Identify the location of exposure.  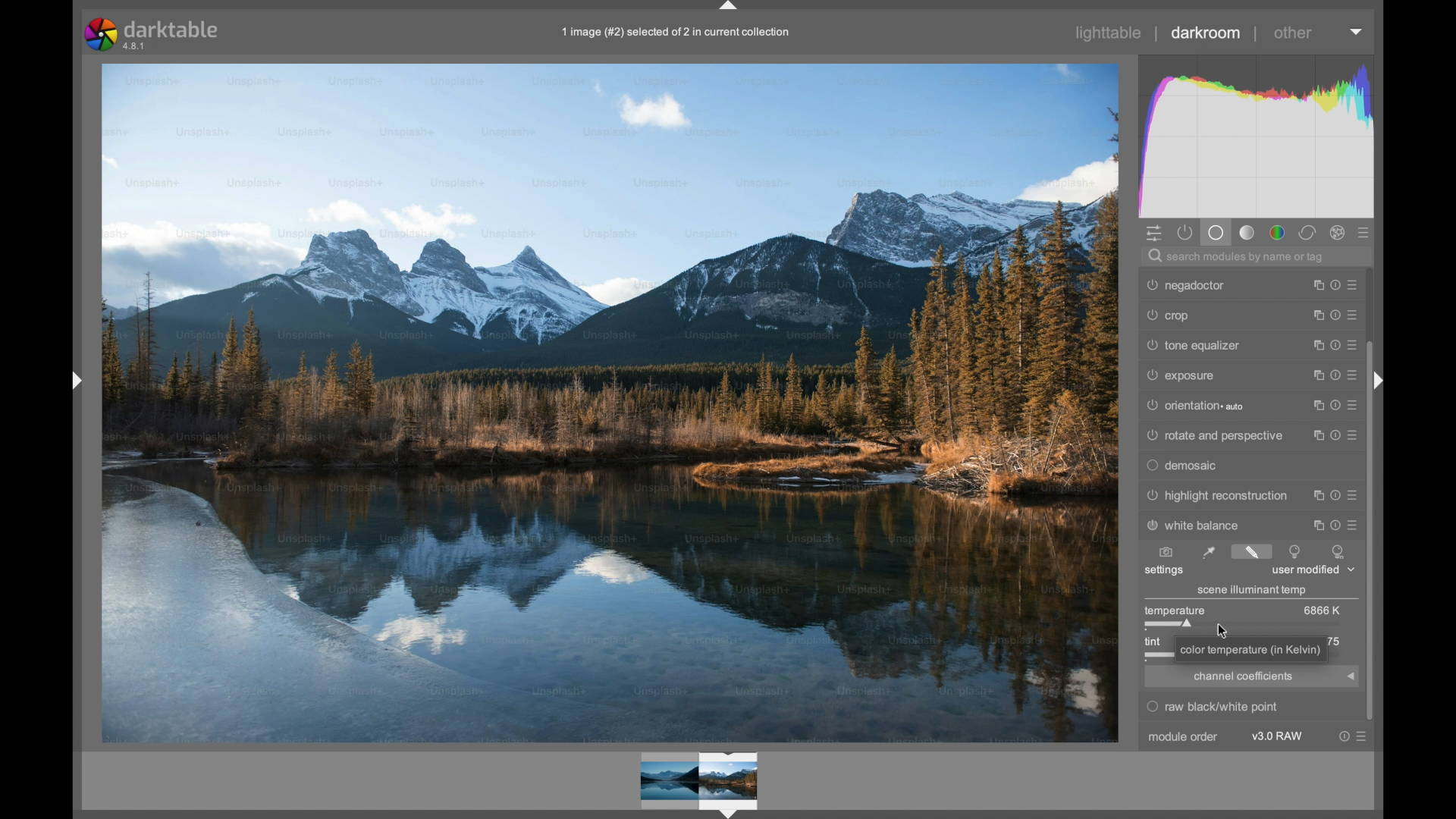
(1179, 375).